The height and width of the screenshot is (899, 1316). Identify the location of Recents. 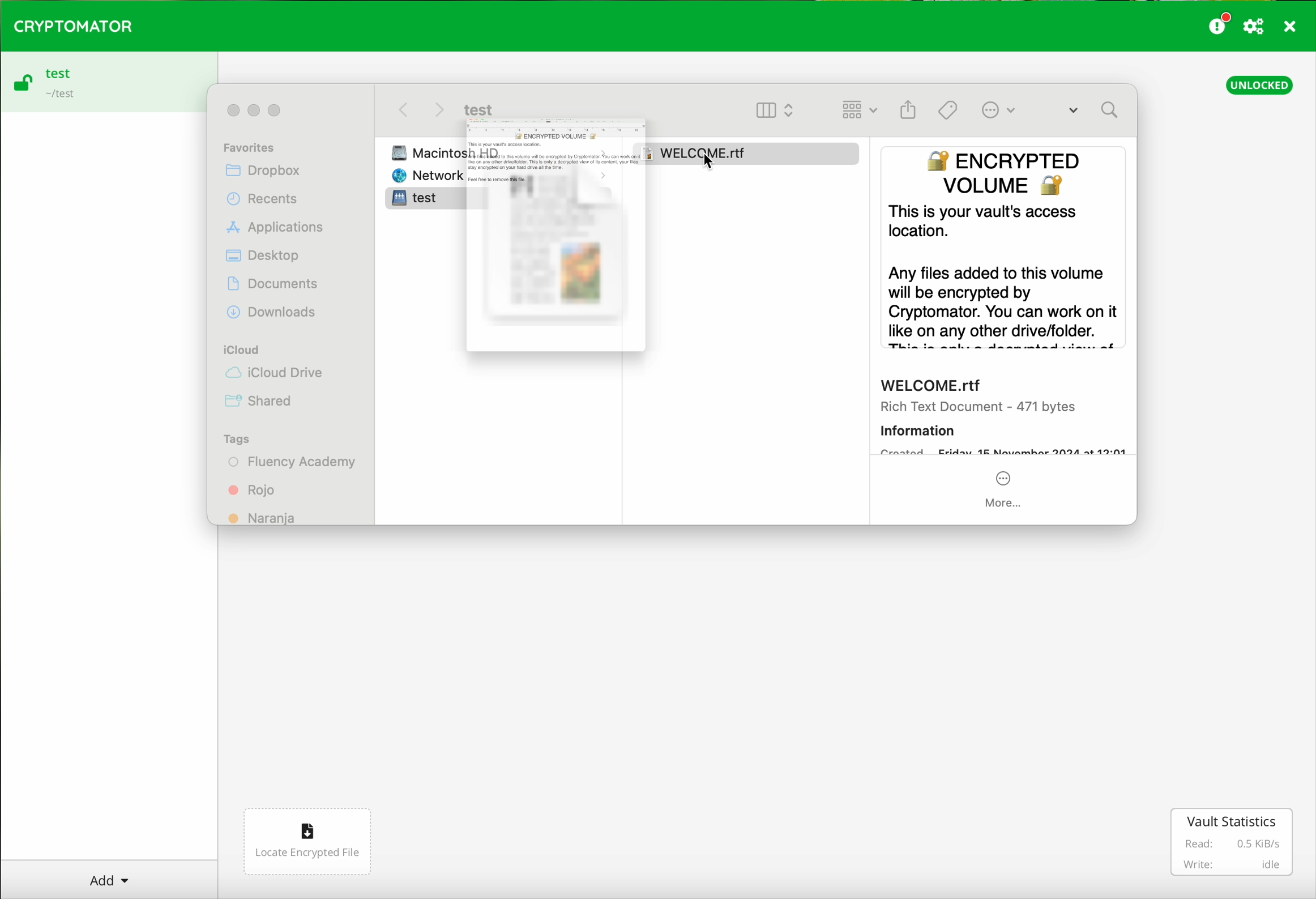
(262, 198).